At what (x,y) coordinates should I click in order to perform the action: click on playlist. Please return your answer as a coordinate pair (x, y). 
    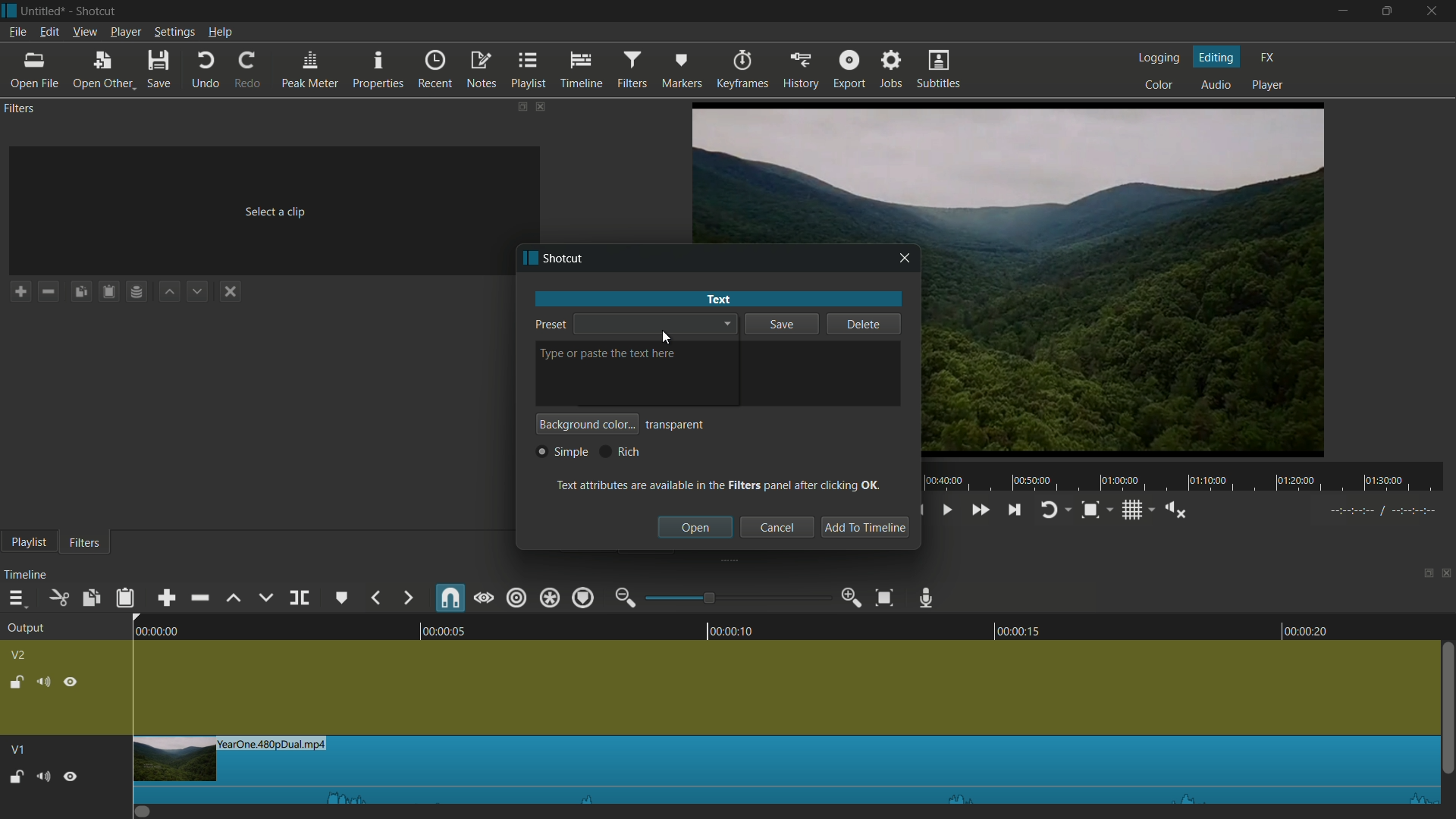
    Looking at the image, I should click on (28, 541).